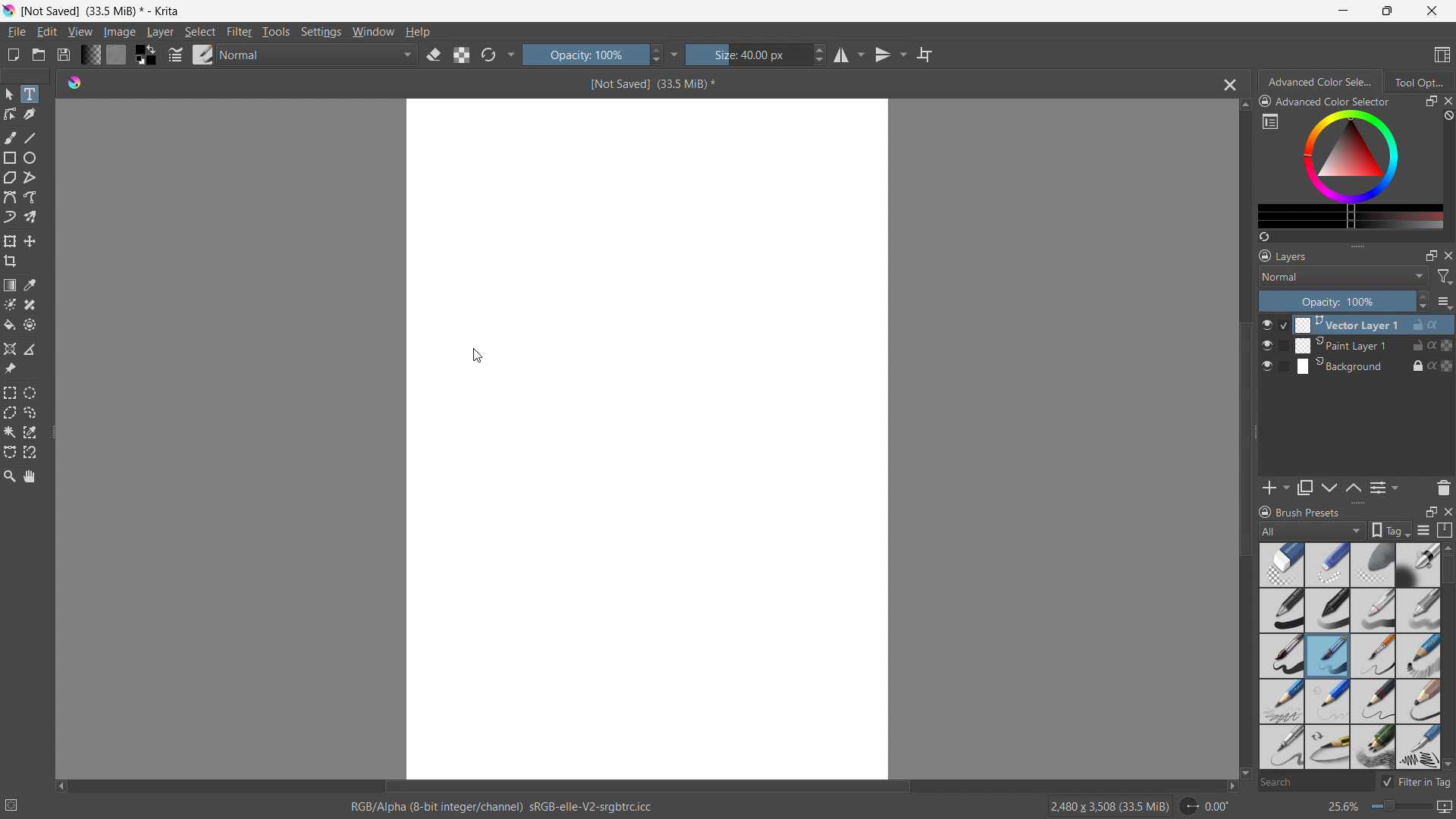 The width and height of the screenshot is (1456, 819). Describe the element at coordinates (1264, 237) in the screenshot. I see `create a list of colors from the picture` at that location.